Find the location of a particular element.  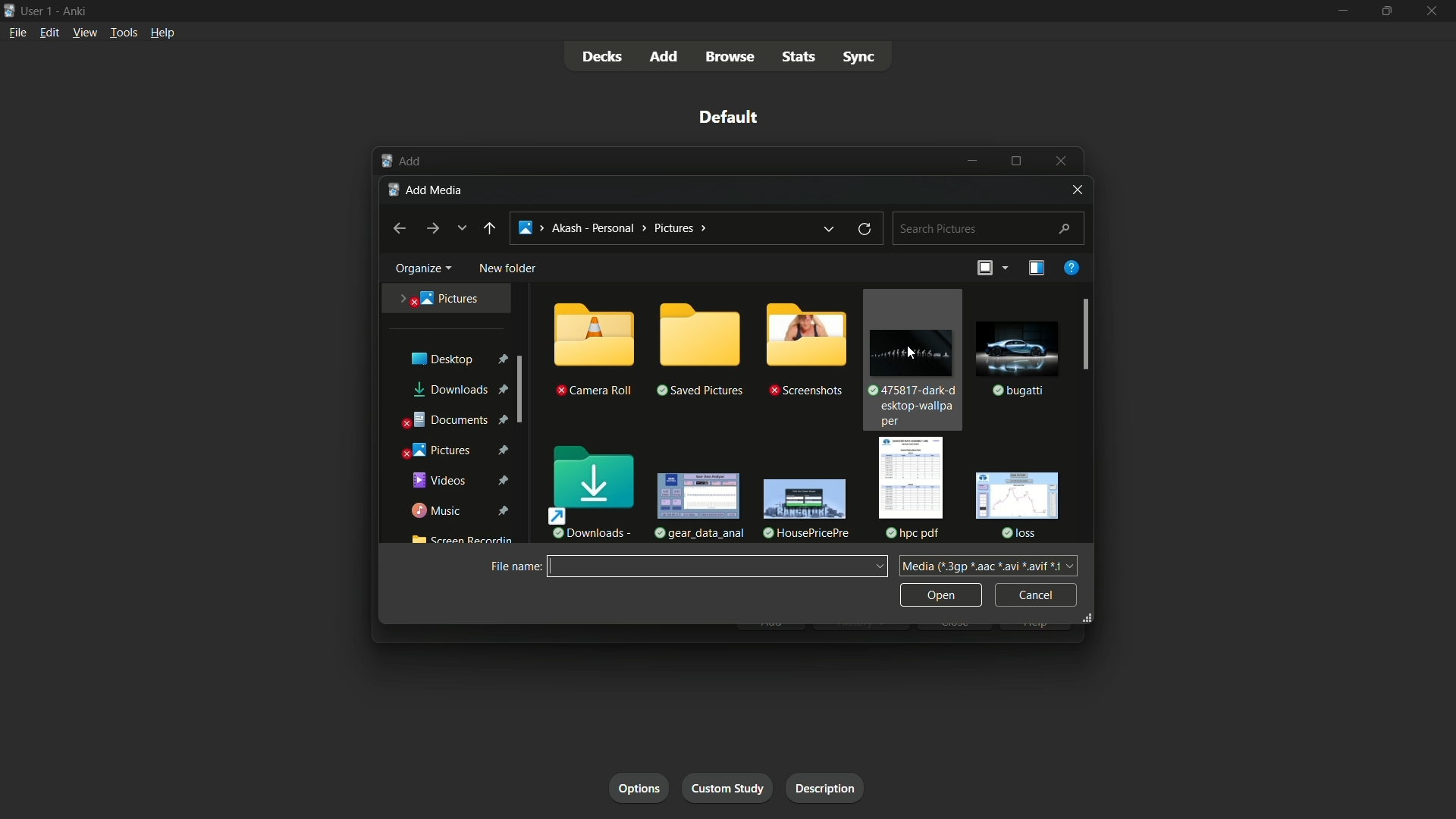

file-4 is located at coordinates (803, 507).